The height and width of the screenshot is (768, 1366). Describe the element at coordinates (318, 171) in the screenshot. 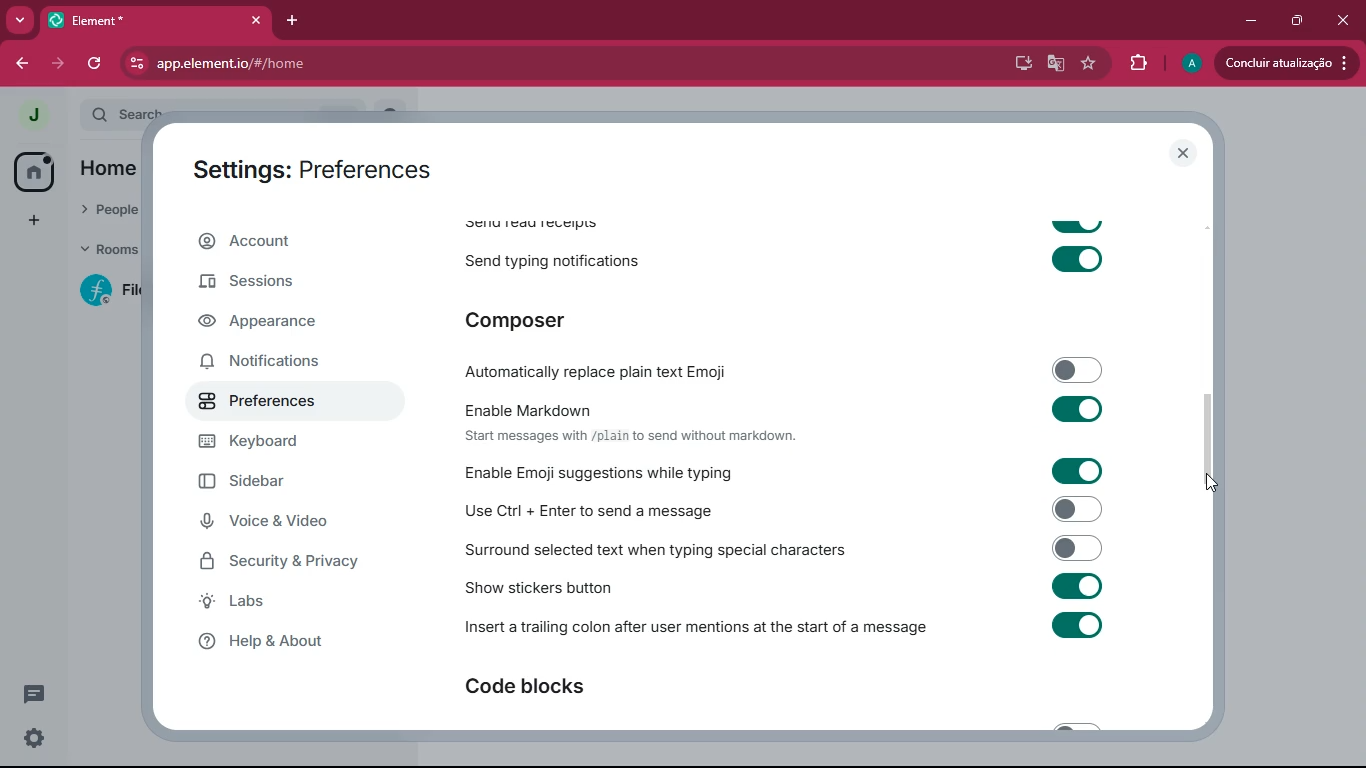

I see `settings: preferences` at that location.